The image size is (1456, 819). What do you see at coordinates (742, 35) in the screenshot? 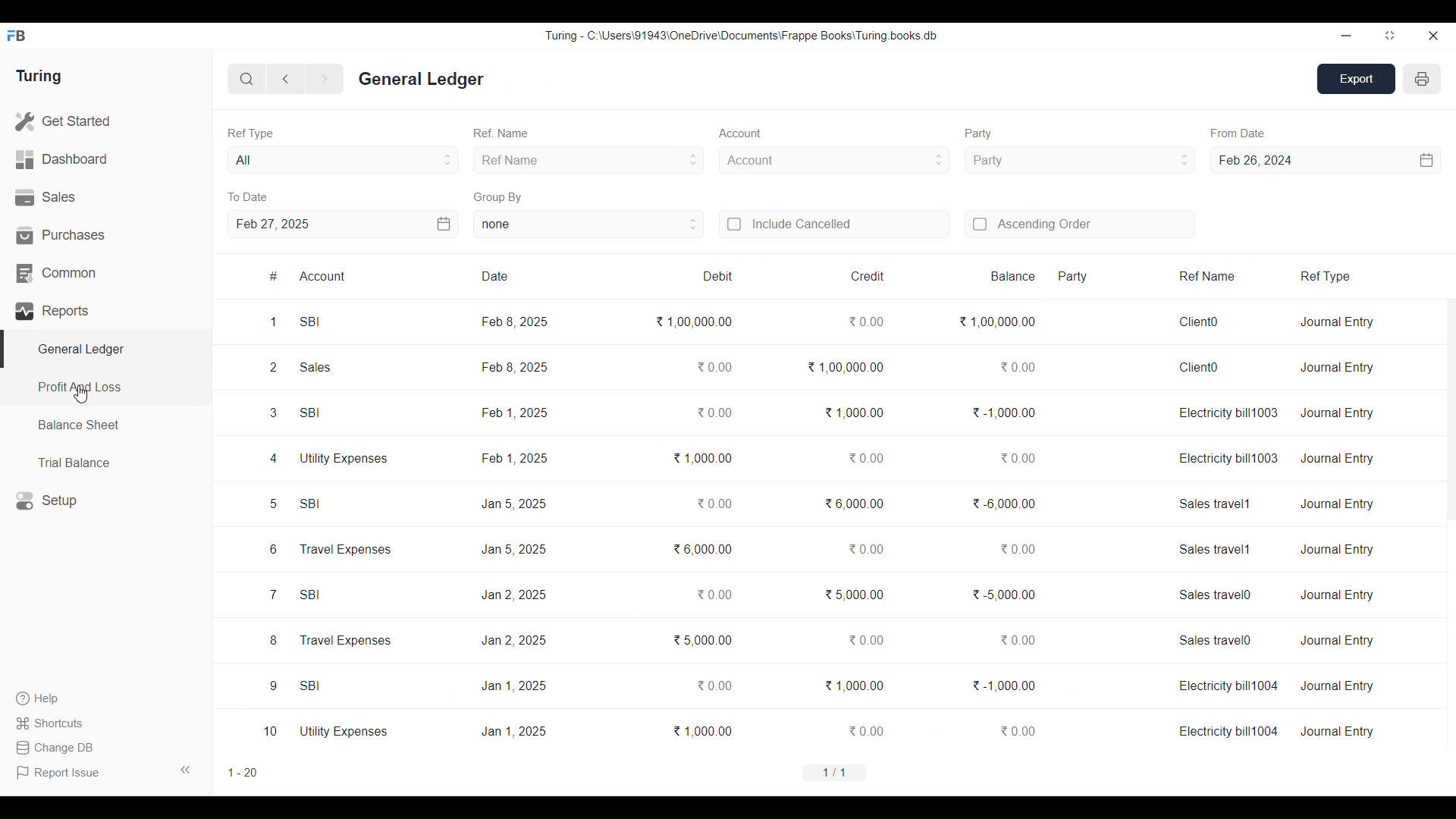
I see `Turing - C:\Users\91943\0neDrive\Documents Frappe Books\Turing books db` at bounding box center [742, 35].